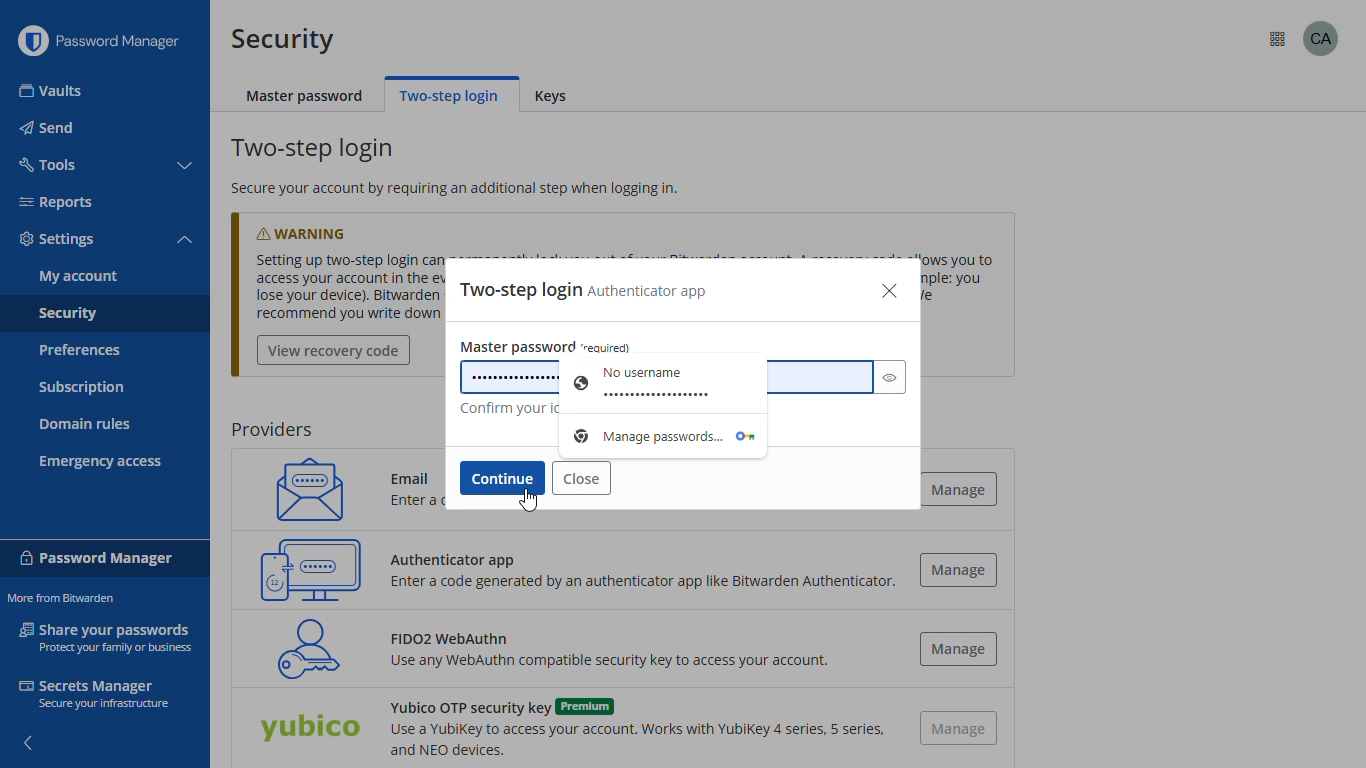 Image resolution: width=1366 pixels, height=768 pixels. Describe the element at coordinates (58, 240) in the screenshot. I see `settings` at that location.